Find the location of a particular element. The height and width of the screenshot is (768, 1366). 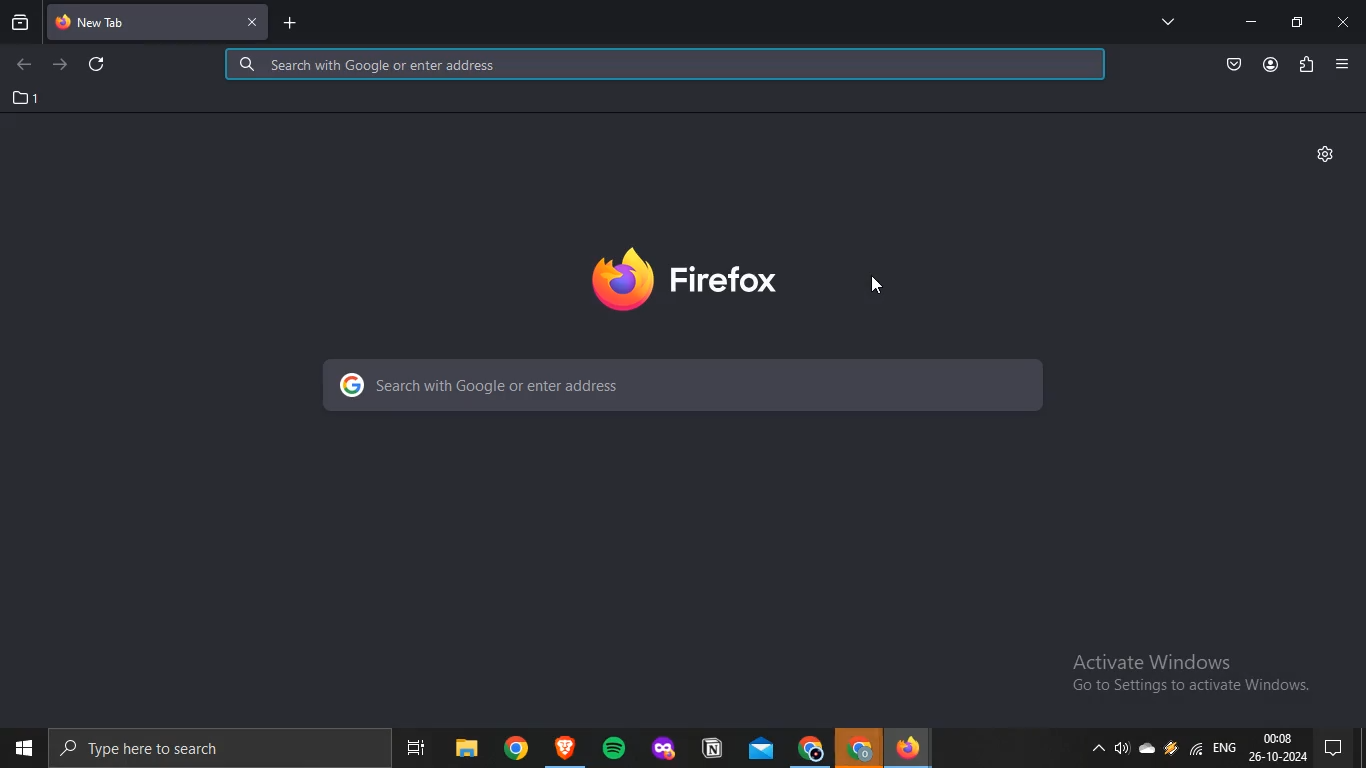

firefox logo is located at coordinates (686, 279).